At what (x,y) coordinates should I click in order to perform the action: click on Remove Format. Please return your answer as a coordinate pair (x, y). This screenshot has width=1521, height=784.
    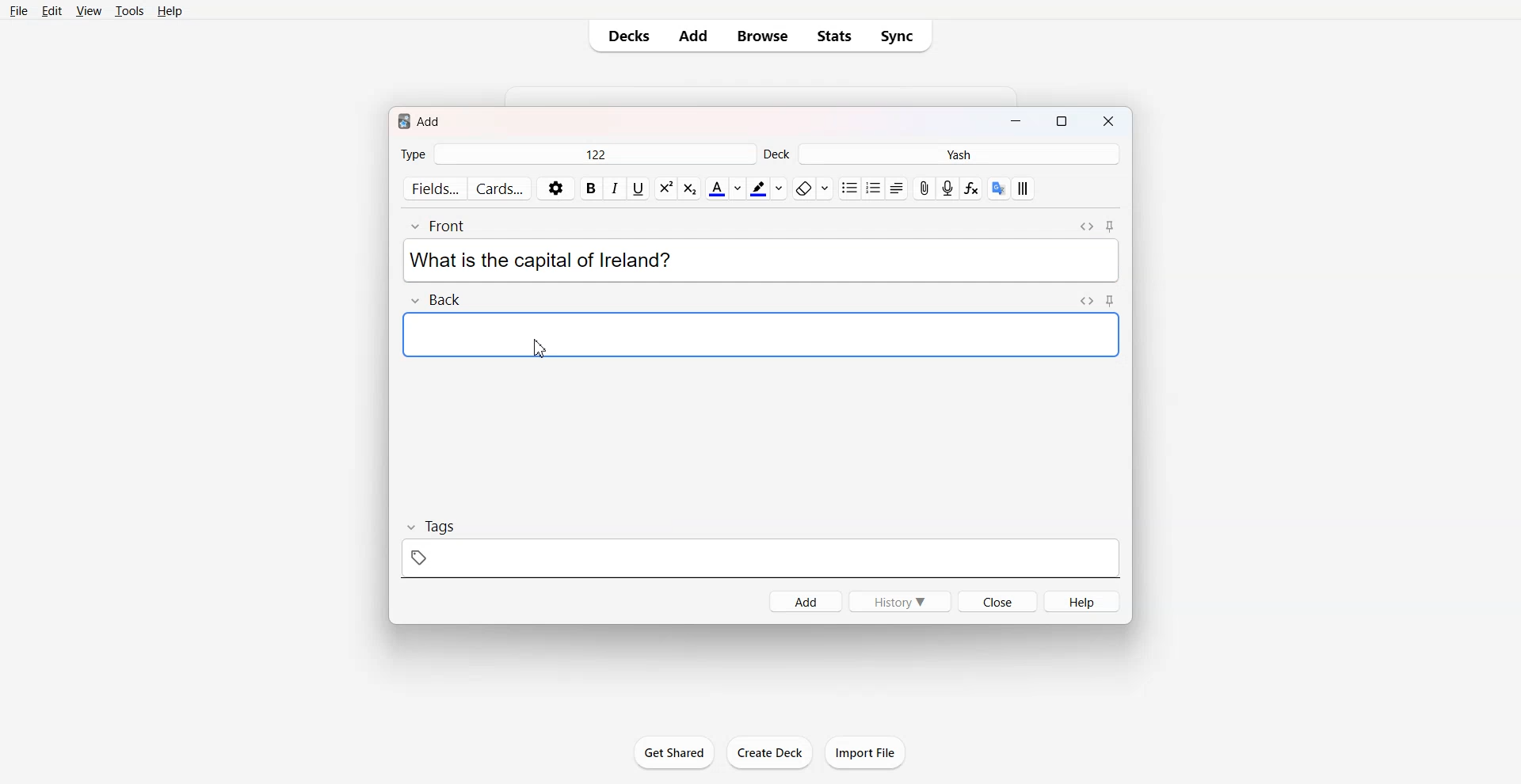
    Looking at the image, I should click on (812, 188).